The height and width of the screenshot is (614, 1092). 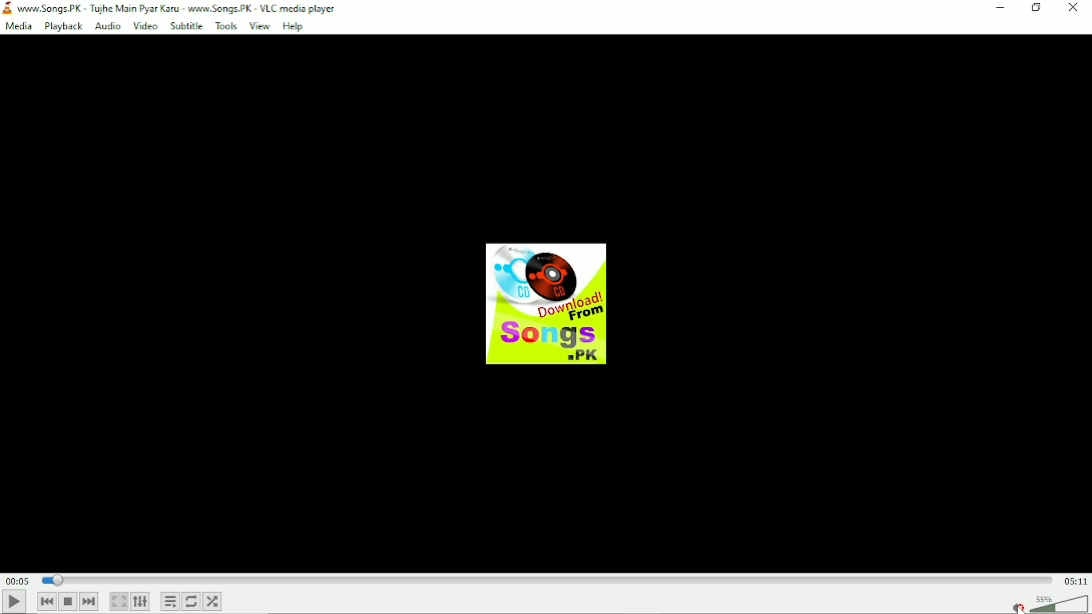 I want to click on Random, so click(x=212, y=602).